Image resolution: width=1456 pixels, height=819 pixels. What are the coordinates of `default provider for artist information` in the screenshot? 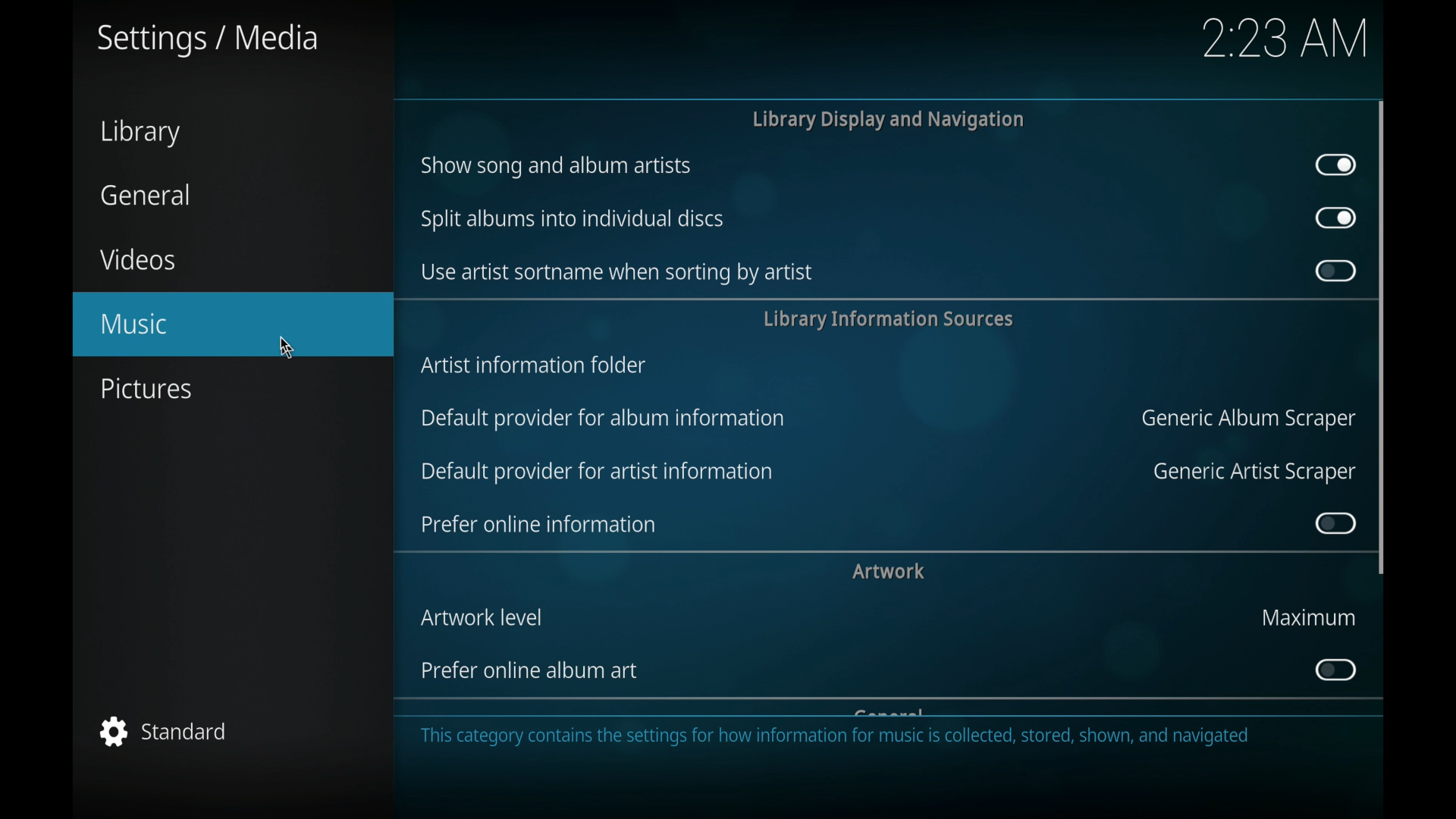 It's located at (596, 472).